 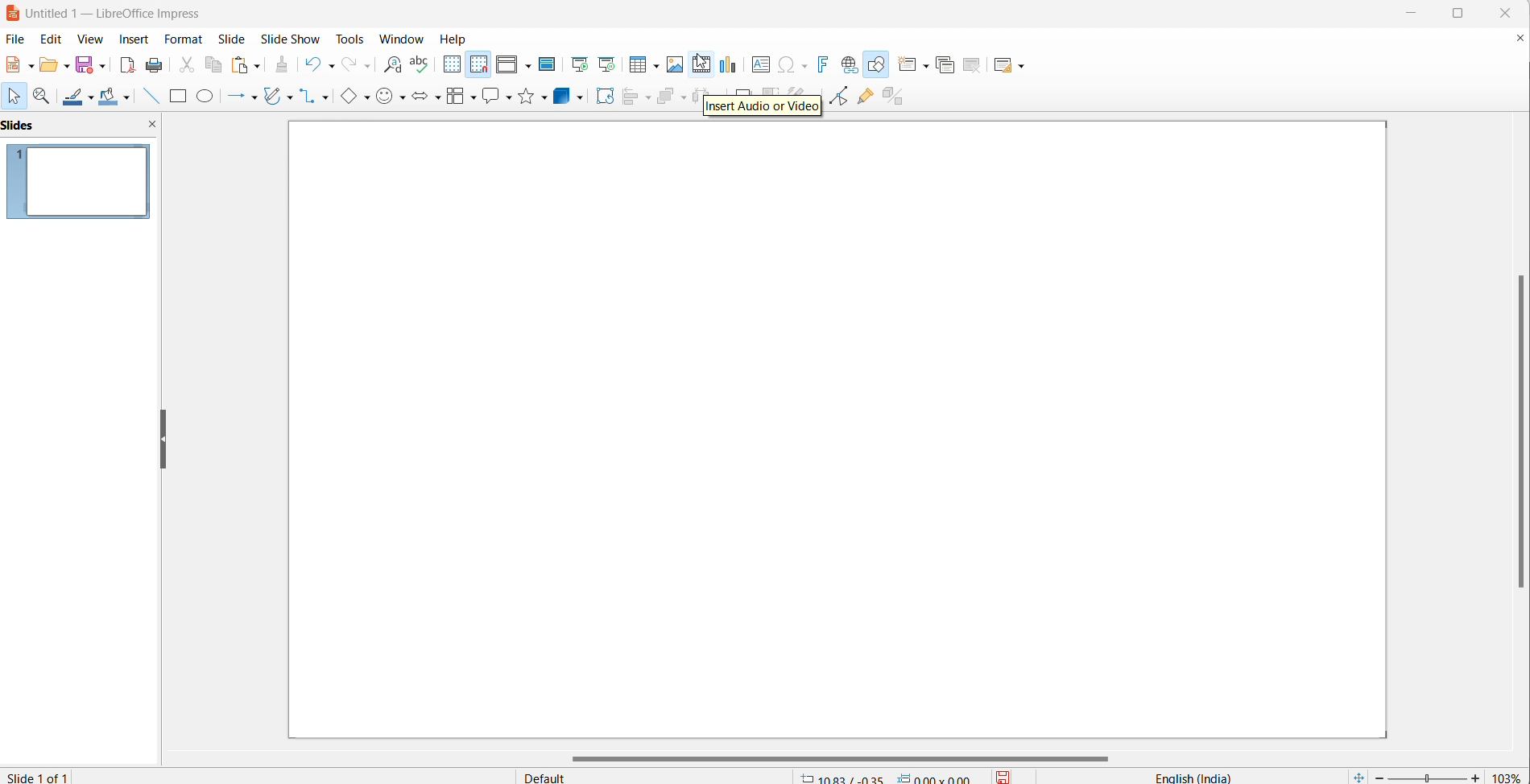 What do you see at coordinates (292, 39) in the screenshot?
I see `slide show` at bounding box center [292, 39].